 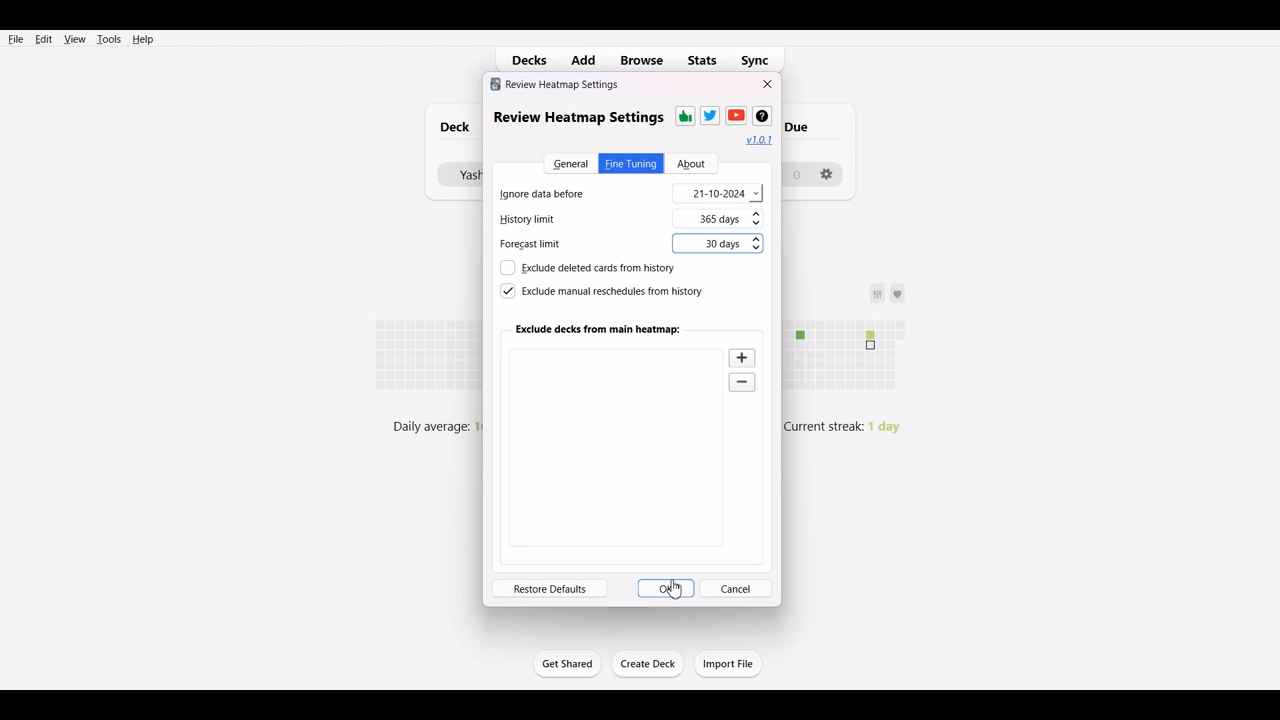 I want to click on due, so click(x=808, y=125).